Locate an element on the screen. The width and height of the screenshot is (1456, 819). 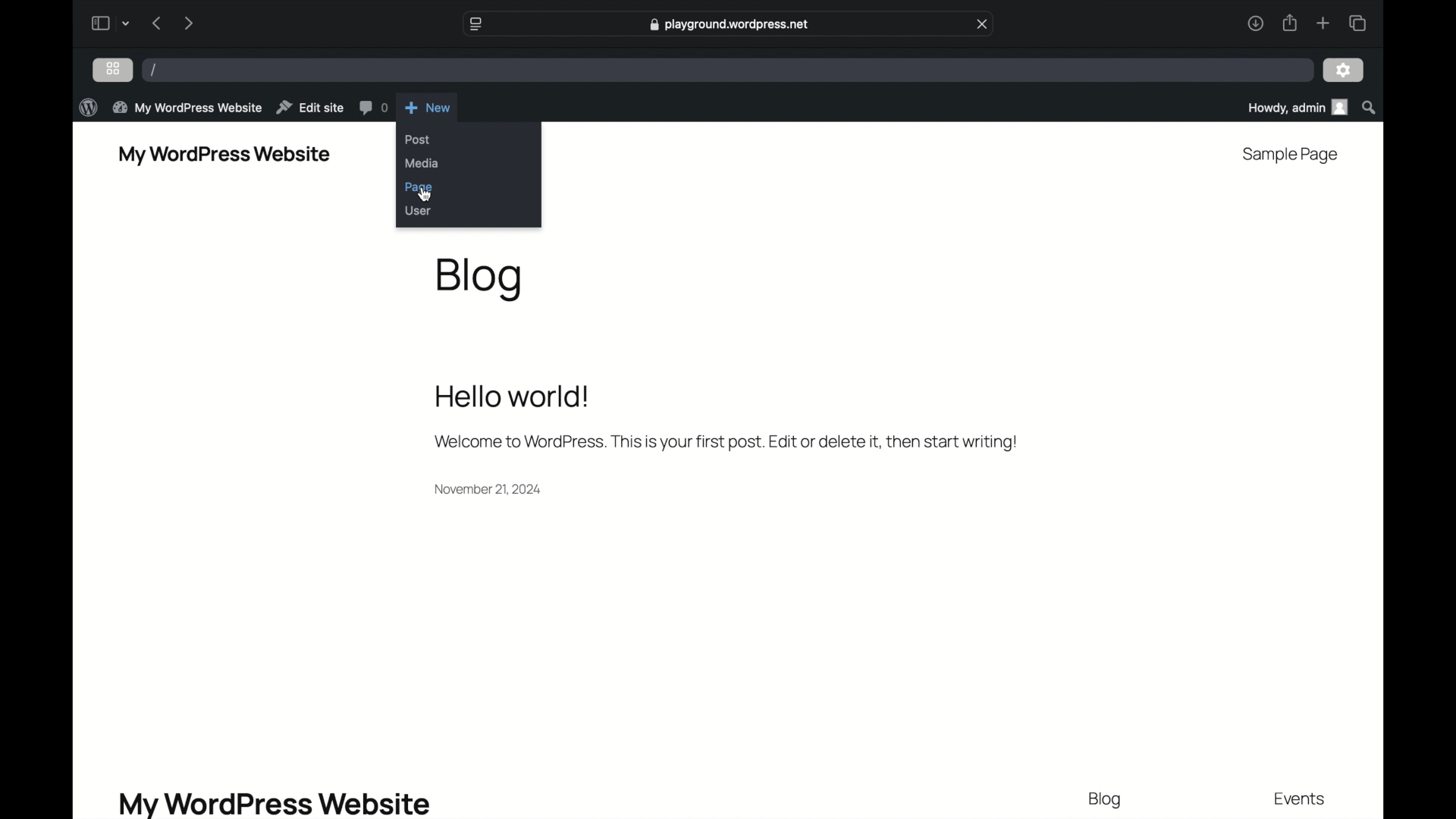
website settings is located at coordinates (475, 23).